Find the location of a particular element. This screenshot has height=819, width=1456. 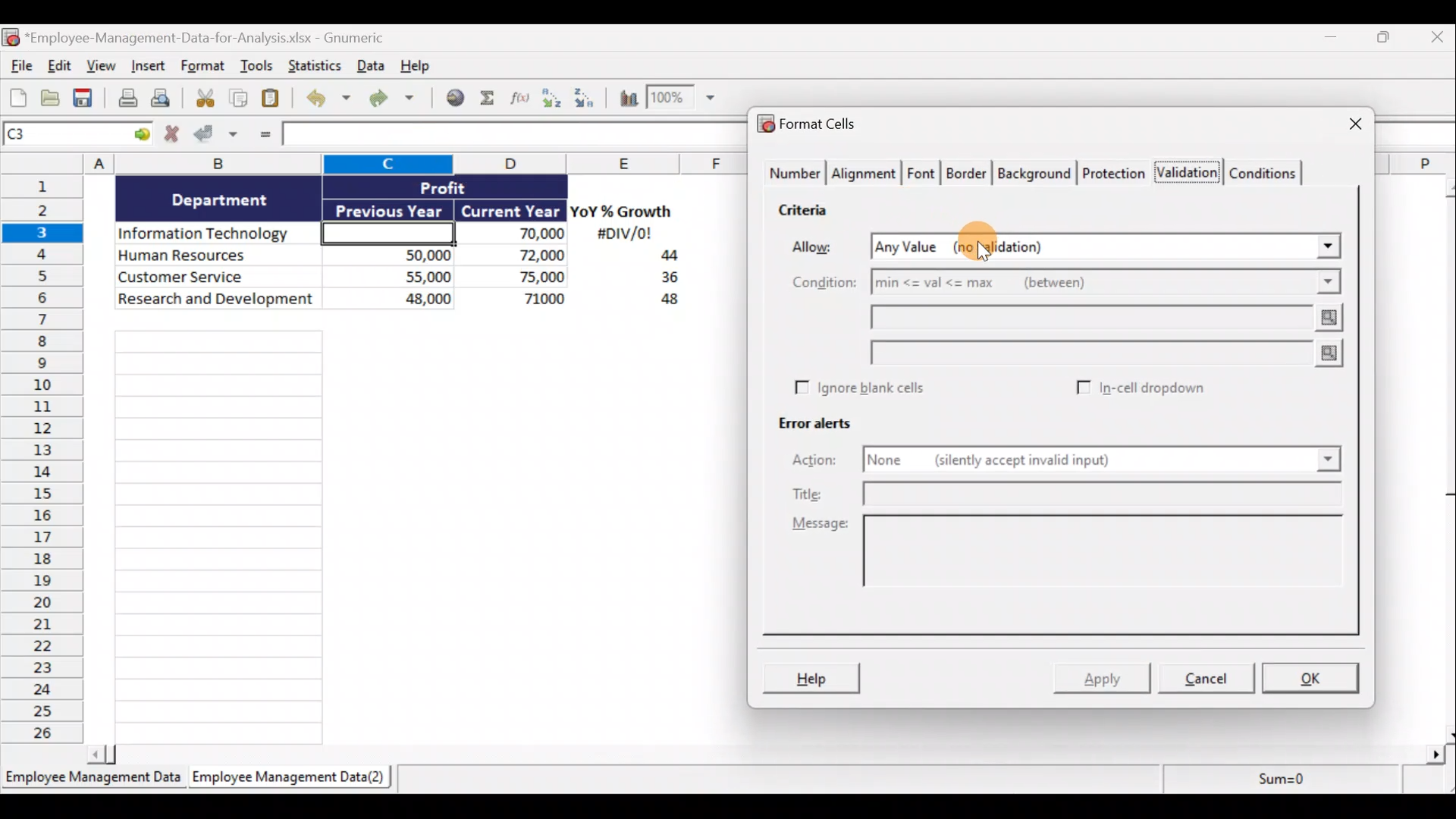

Message is located at coordinates (1064, 560).